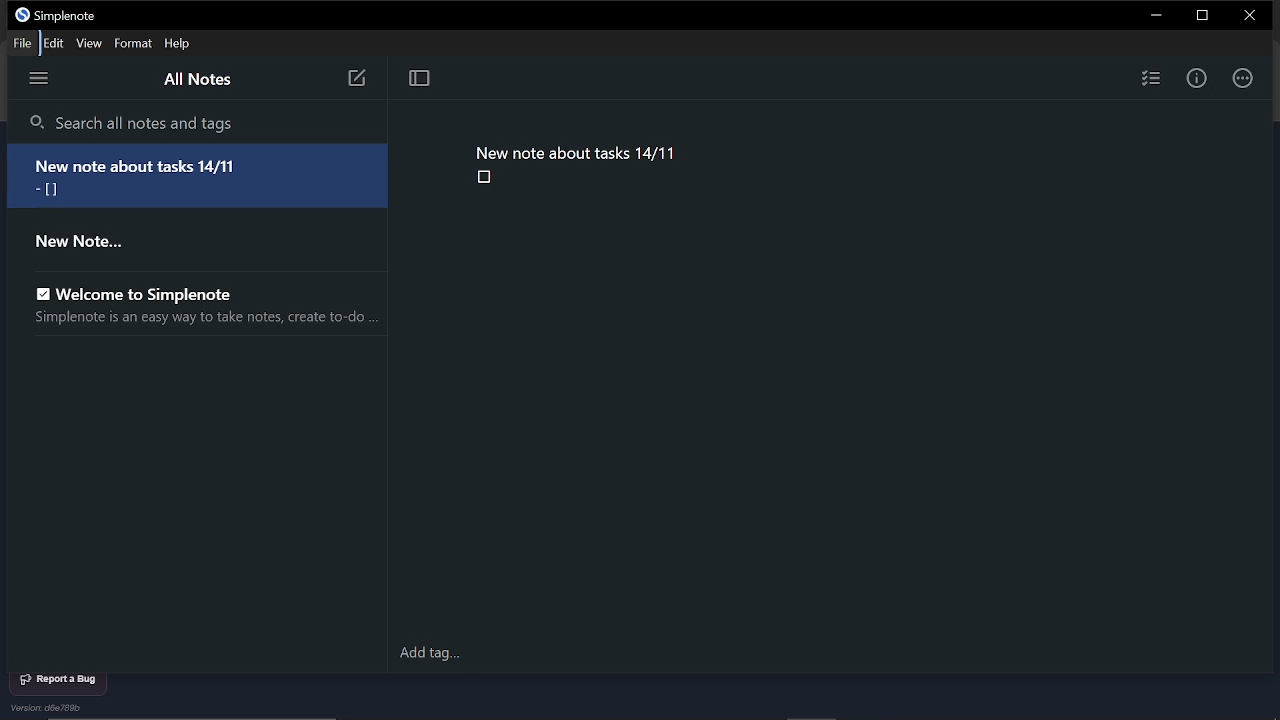  I want to click on All notes, so click(202, 80).